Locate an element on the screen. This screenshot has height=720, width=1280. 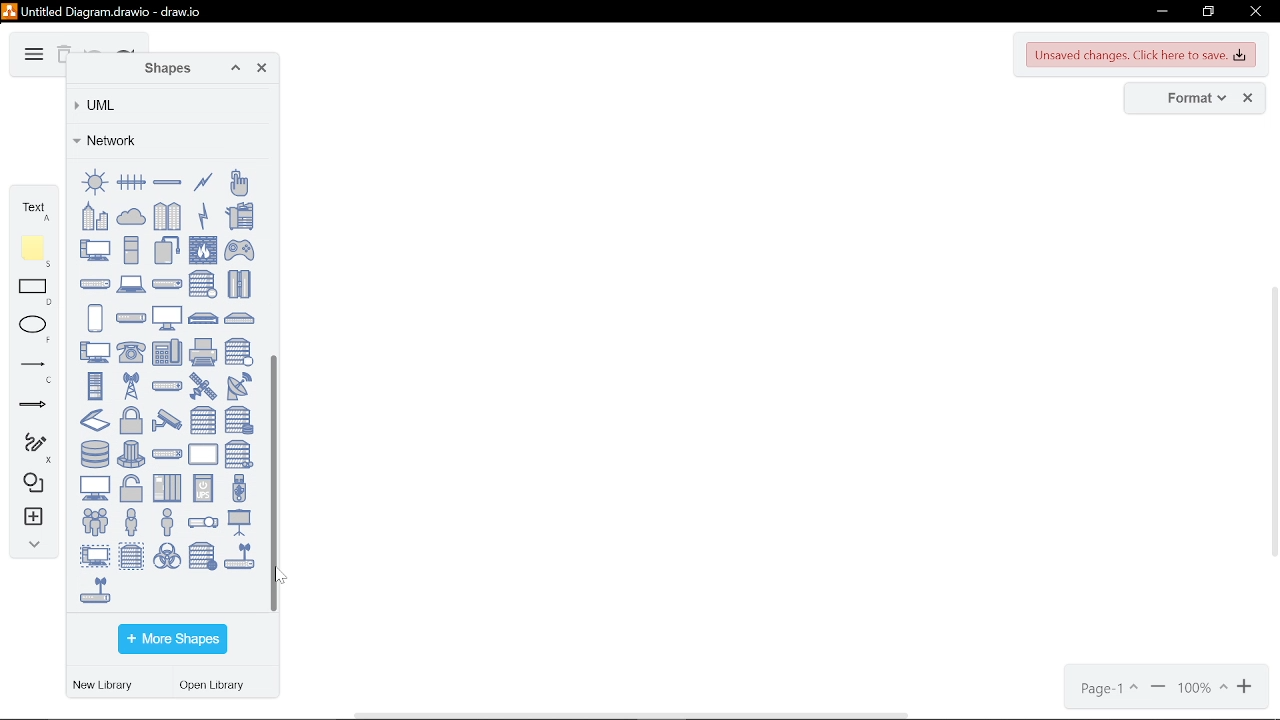
tape storage is located at coordinates (239, 454).